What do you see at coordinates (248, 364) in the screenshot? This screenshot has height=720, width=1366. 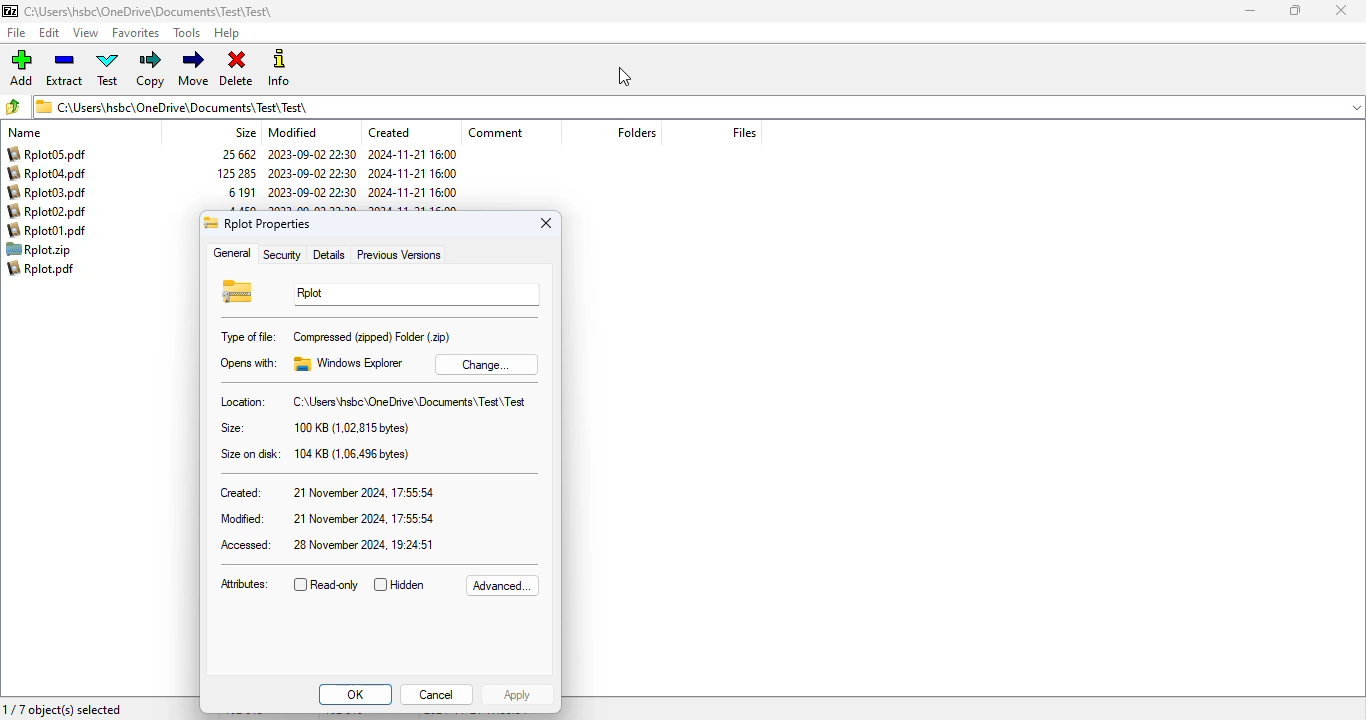 I see `opens with:` at bounding box center [248, 364].